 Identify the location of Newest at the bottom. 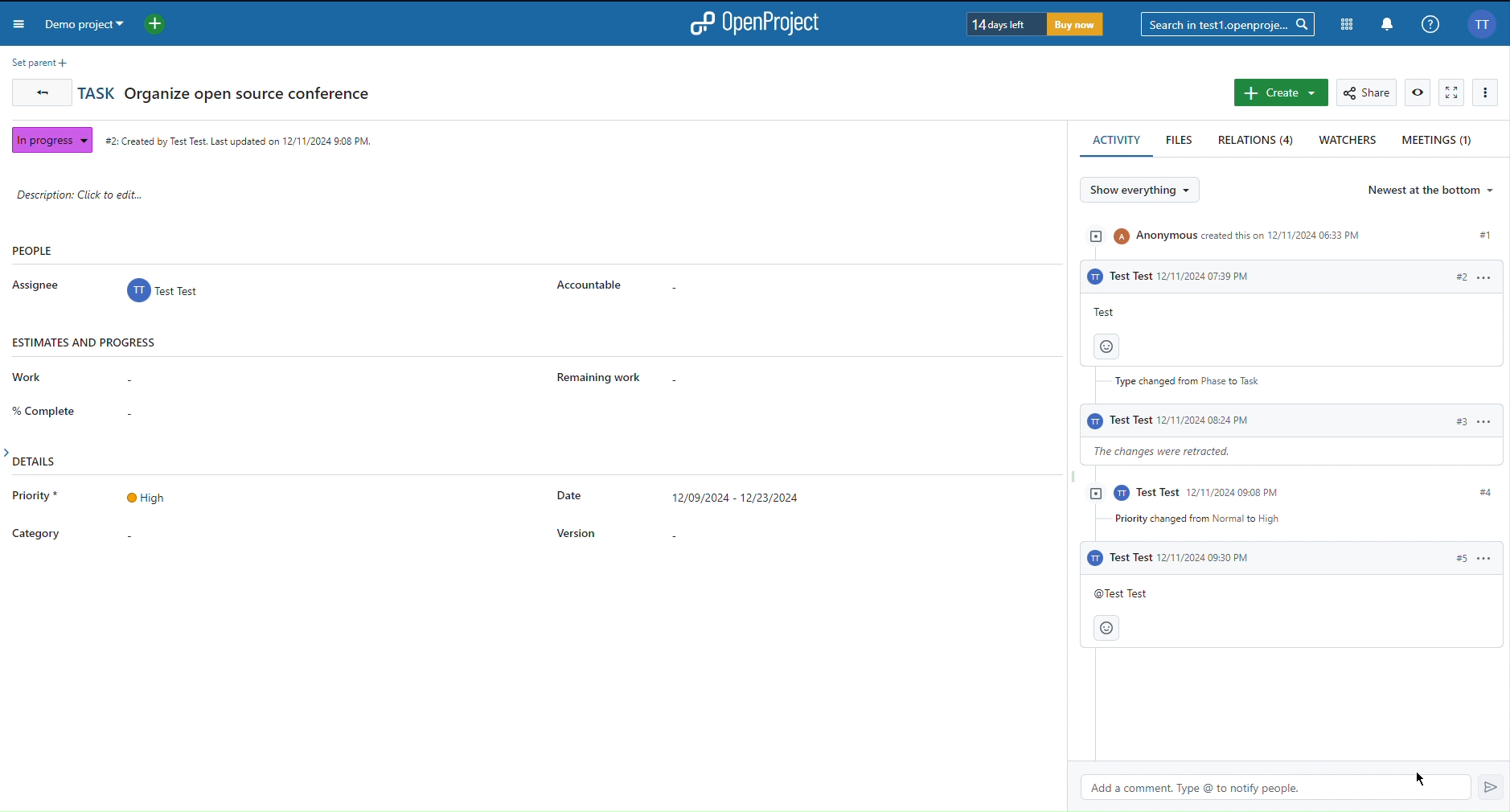
(1433, 190).